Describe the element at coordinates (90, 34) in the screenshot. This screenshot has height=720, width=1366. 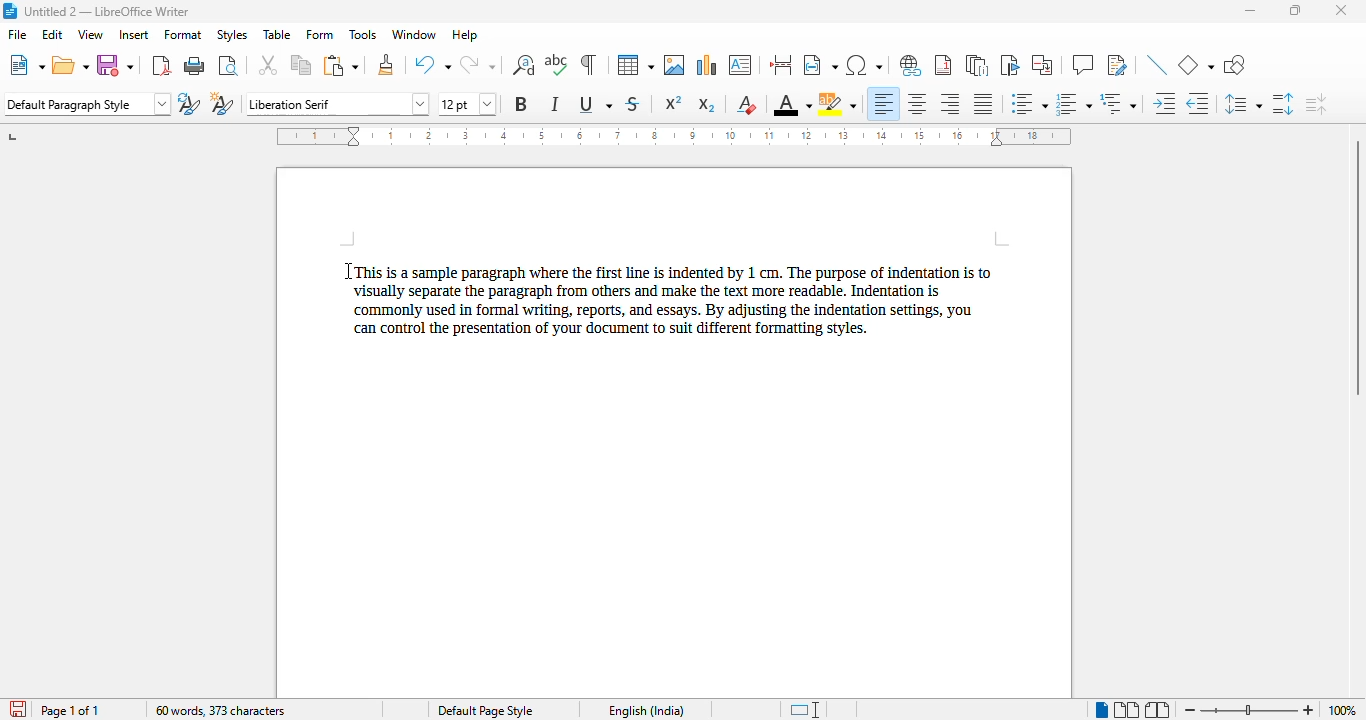
I see `view` at that location.